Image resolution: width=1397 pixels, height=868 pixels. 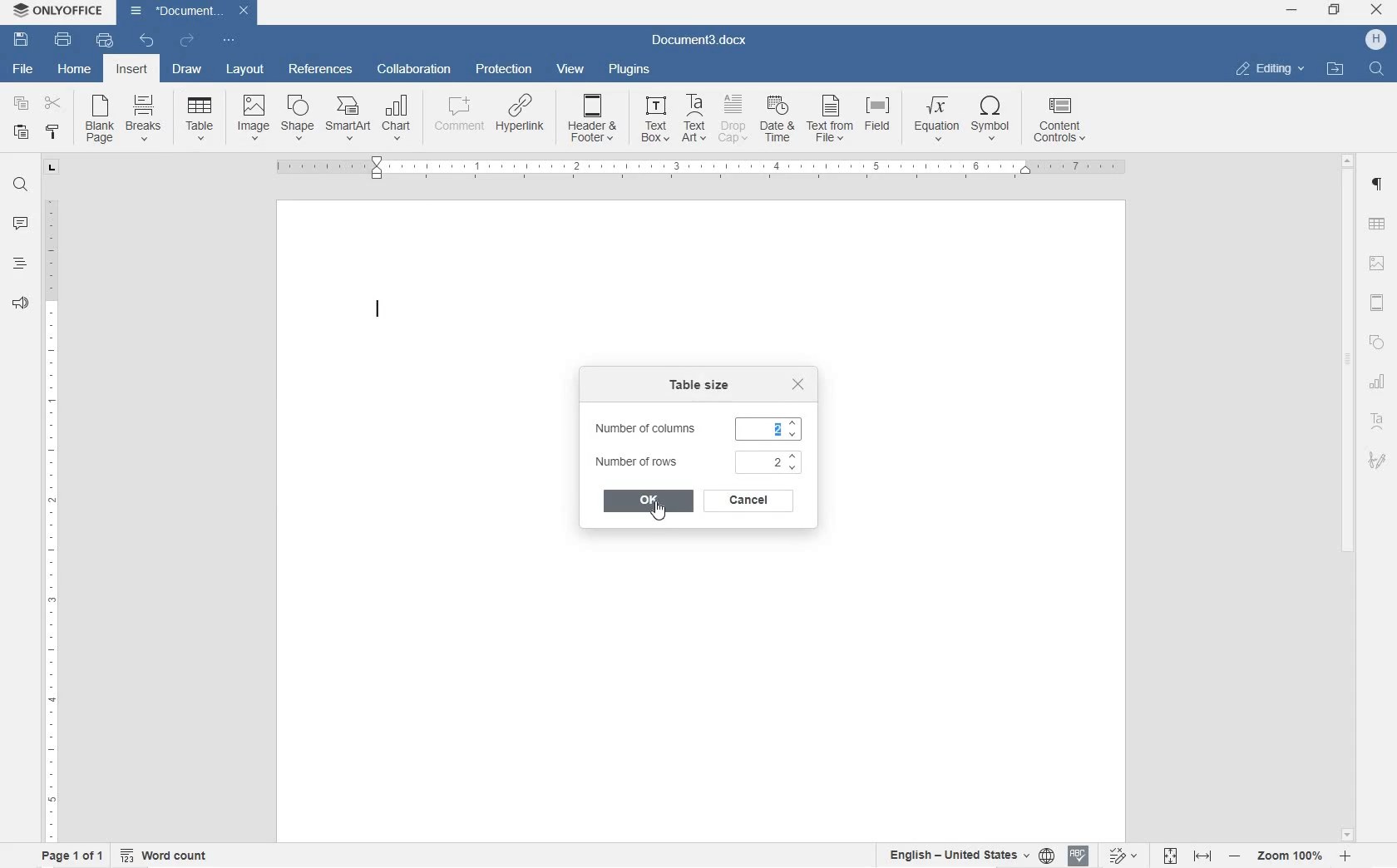 I want to click on FILE, so click(x=19, y=69).